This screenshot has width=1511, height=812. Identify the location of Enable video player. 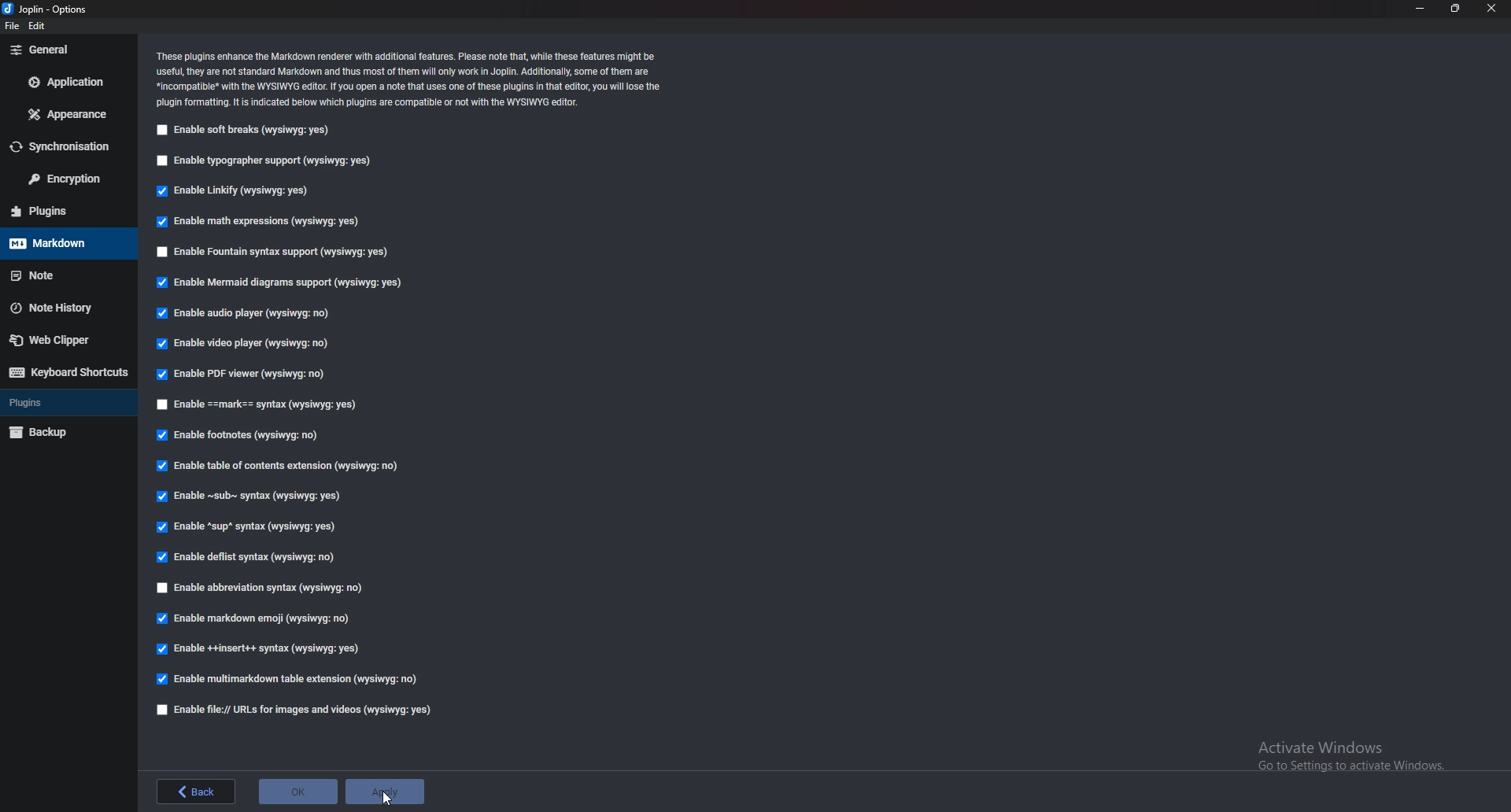
(253, 342).